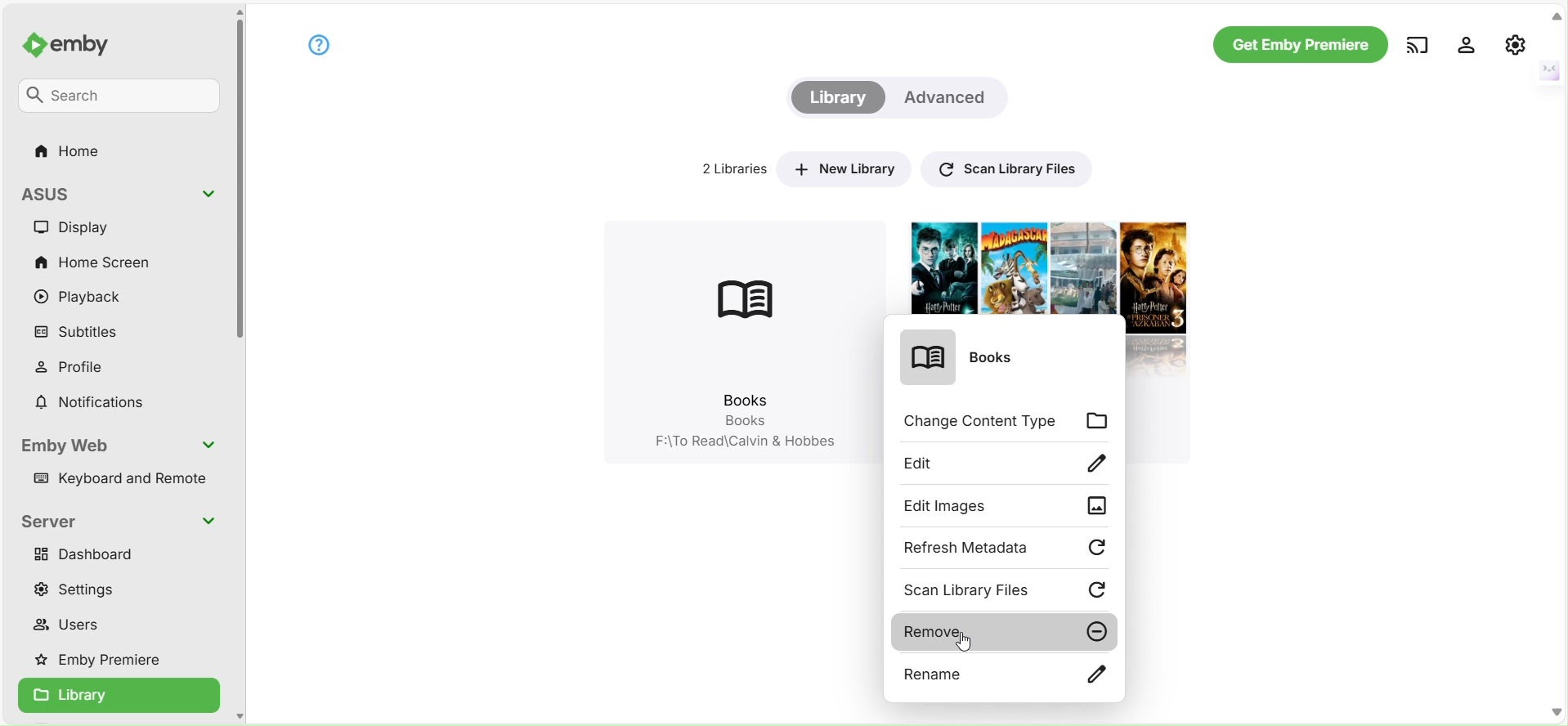 The height and width of the screenshot is (726, 1568). Describe the element at coordinates (843, 168) in the screenshot. I see `Add New Libray` at that location.